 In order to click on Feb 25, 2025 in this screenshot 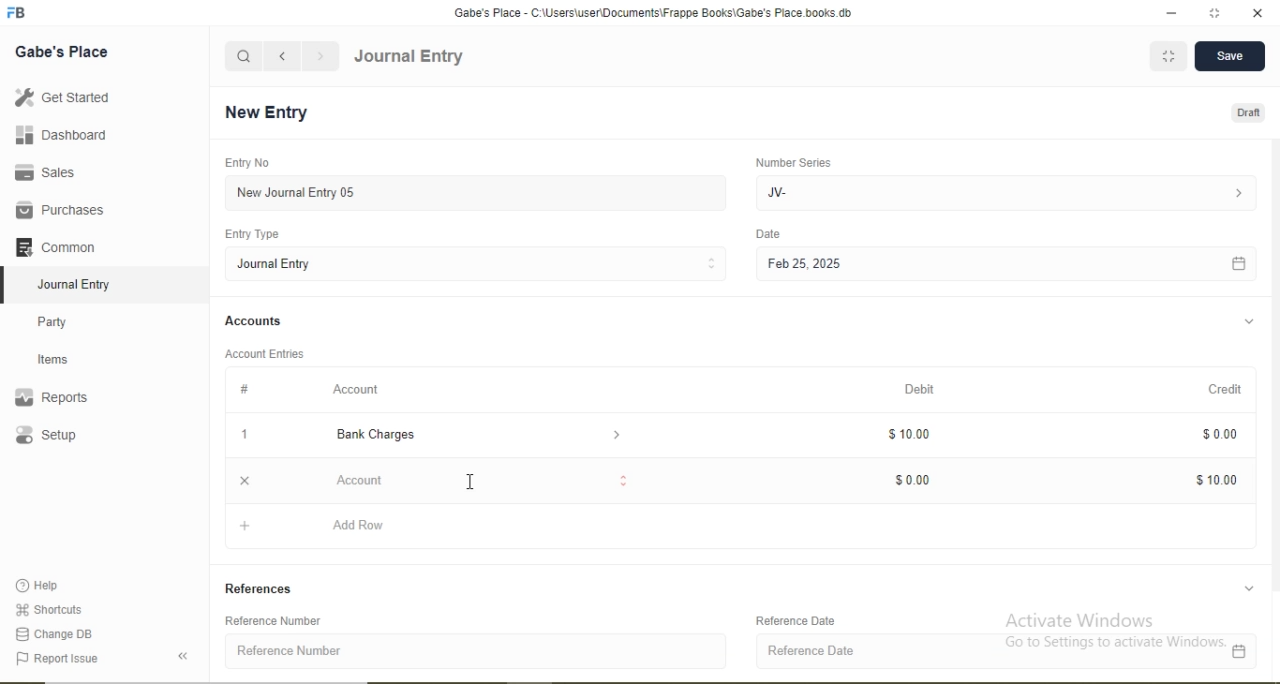, I will do `click(1005, 265)`.